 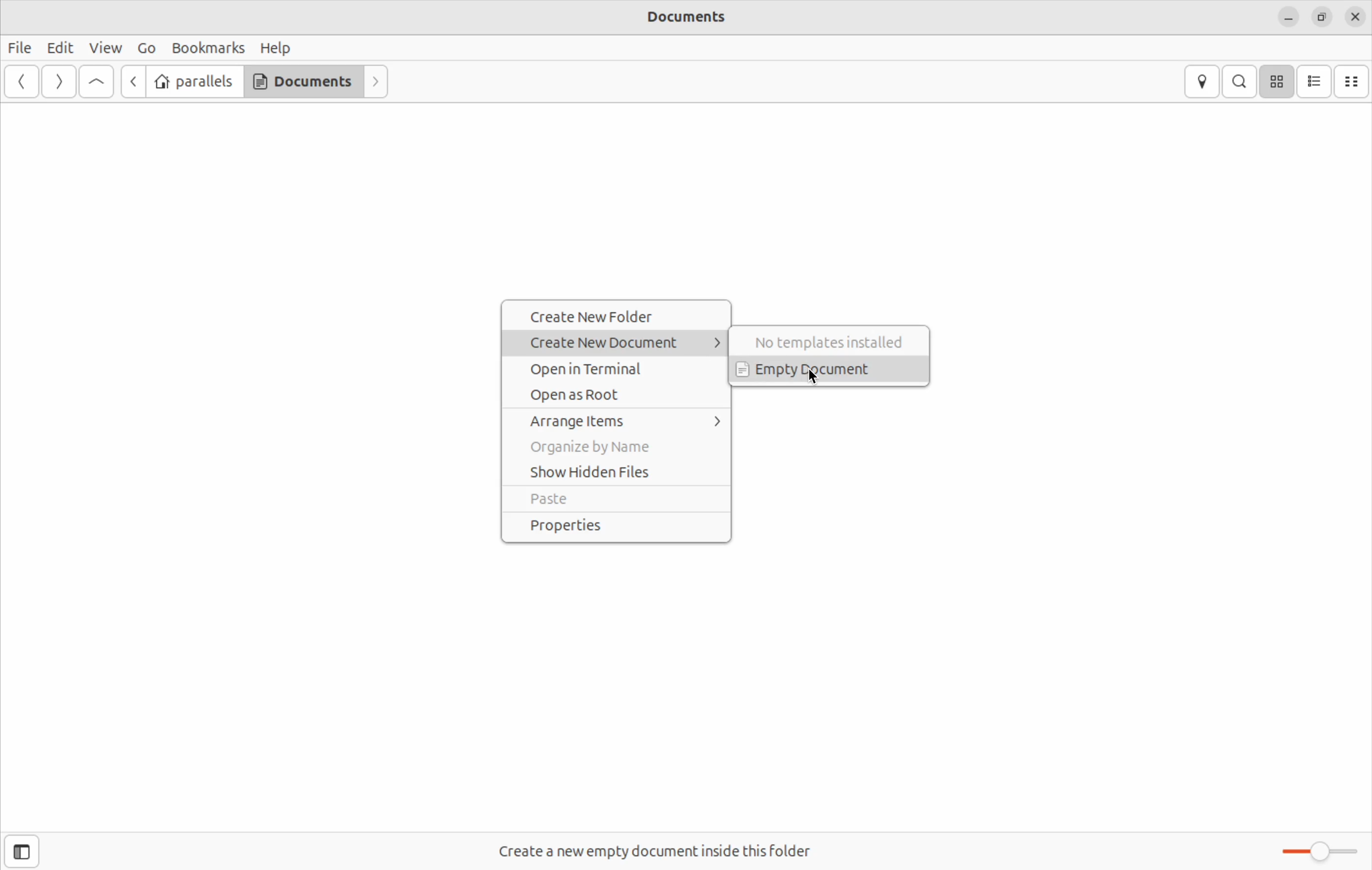 What do you see at coordinates (832, 340) in the screenshot?
I see `no templates intsalled` at bounding box center [832, 340].